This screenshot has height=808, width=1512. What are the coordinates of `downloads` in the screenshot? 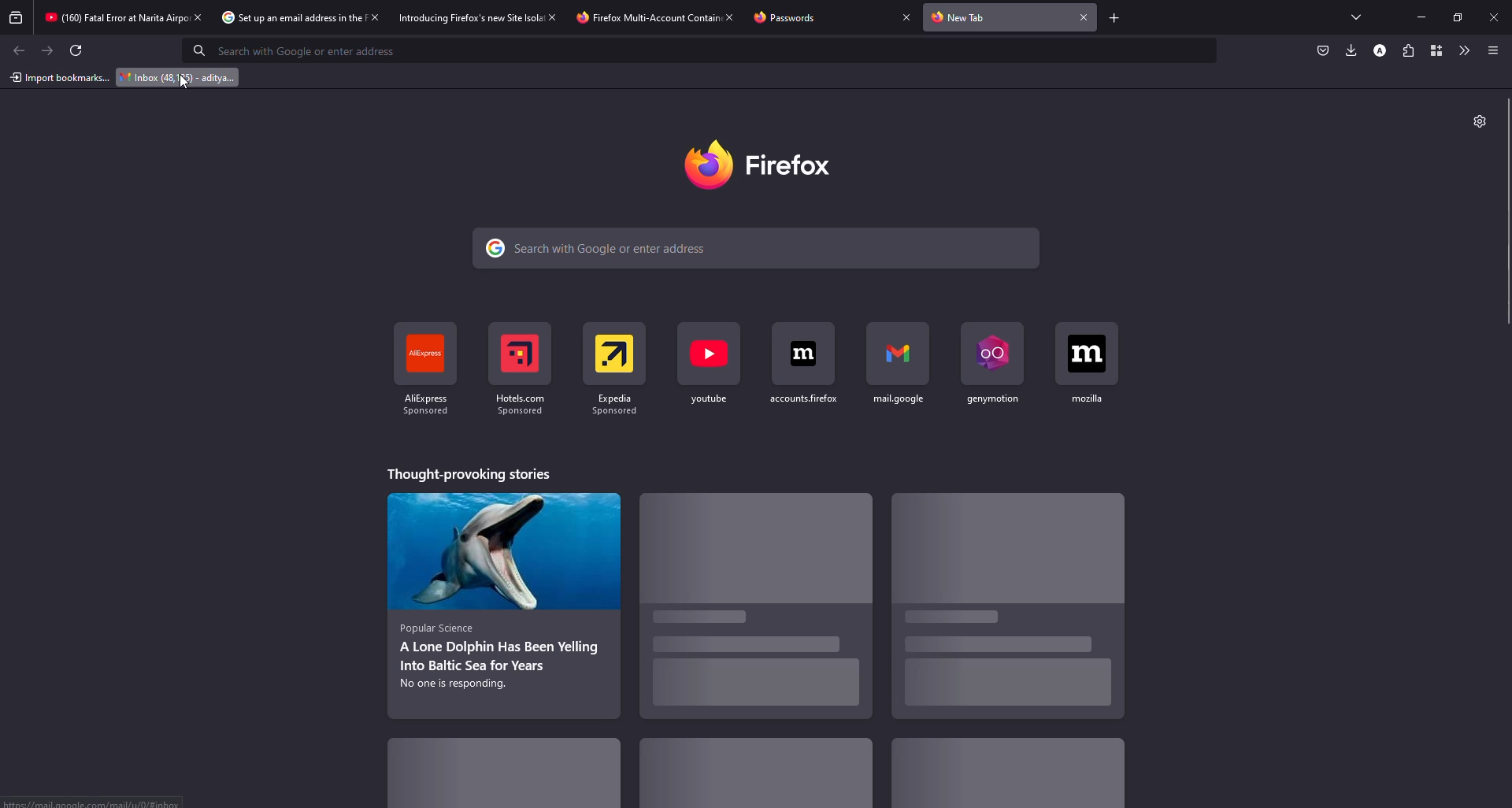 It's located at (1349, 50).